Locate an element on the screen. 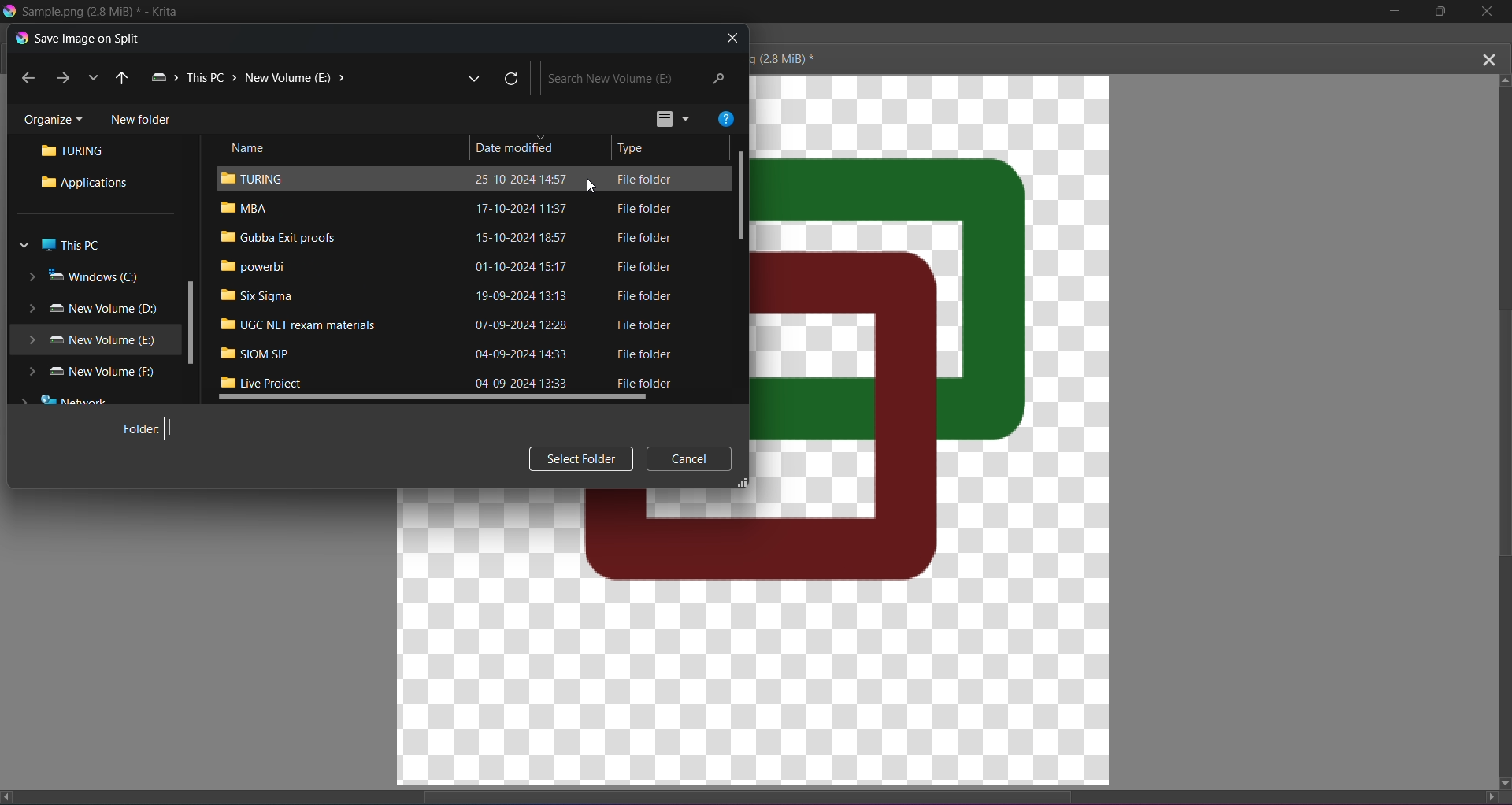  I Gubba Exit proofs 15-10-2024 18:57 File folder is located at coordinates (469, 239).